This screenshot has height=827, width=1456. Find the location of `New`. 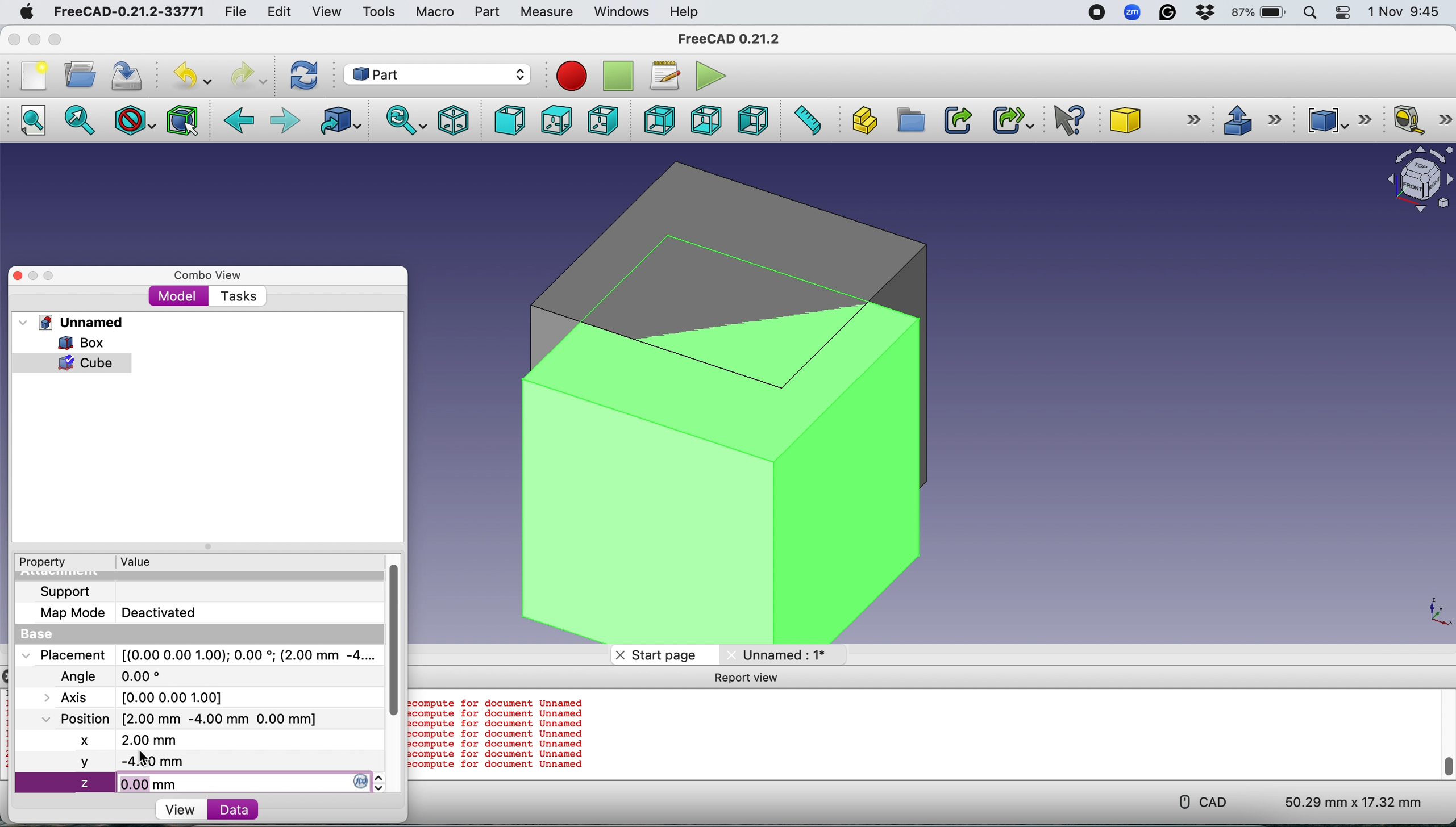

New is located at coordinates (32, 76).